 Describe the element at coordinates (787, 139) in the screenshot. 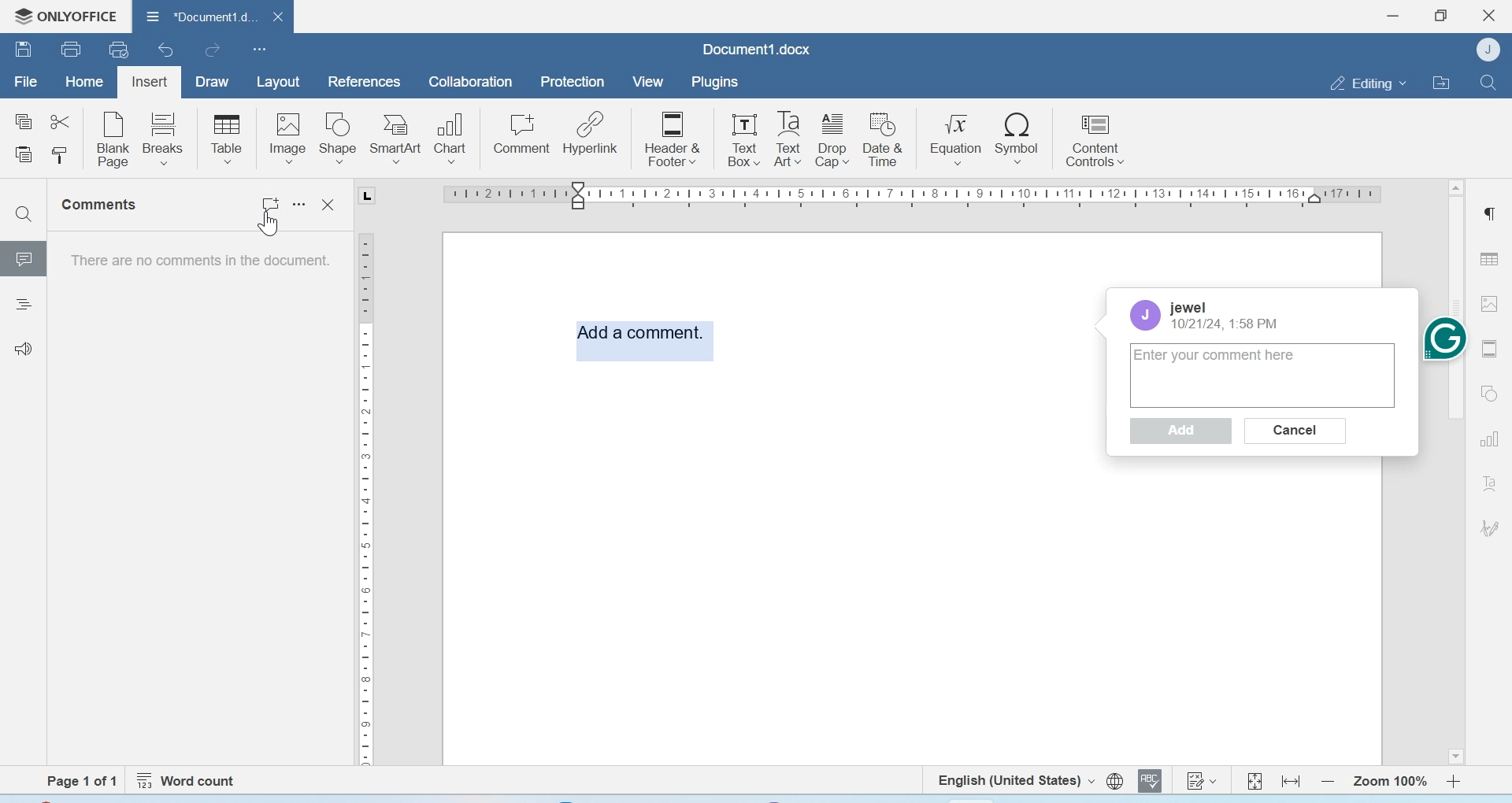

I see `Text Box` at that location.